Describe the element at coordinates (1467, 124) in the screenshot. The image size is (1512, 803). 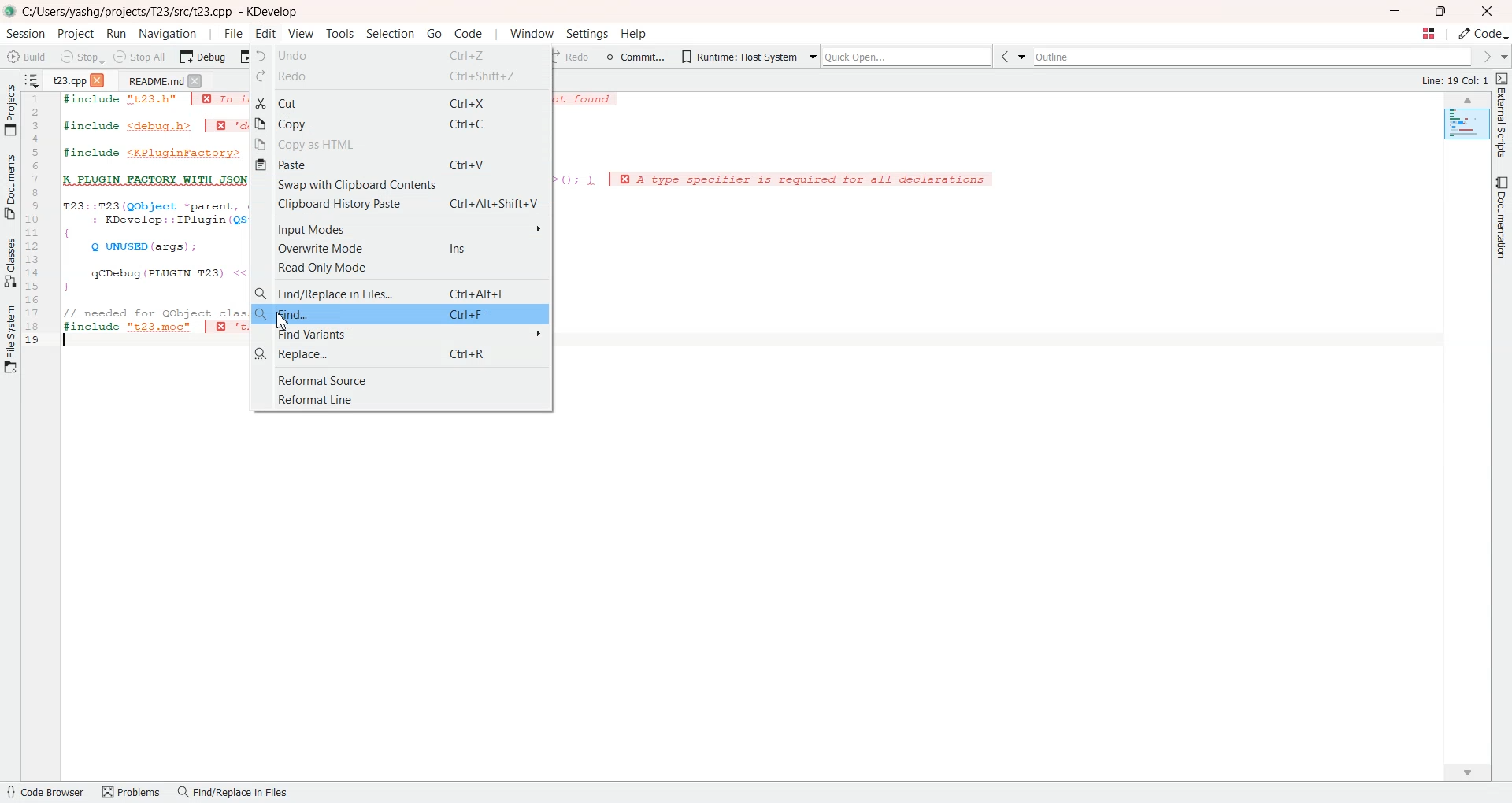
I see `File overview` at that location.